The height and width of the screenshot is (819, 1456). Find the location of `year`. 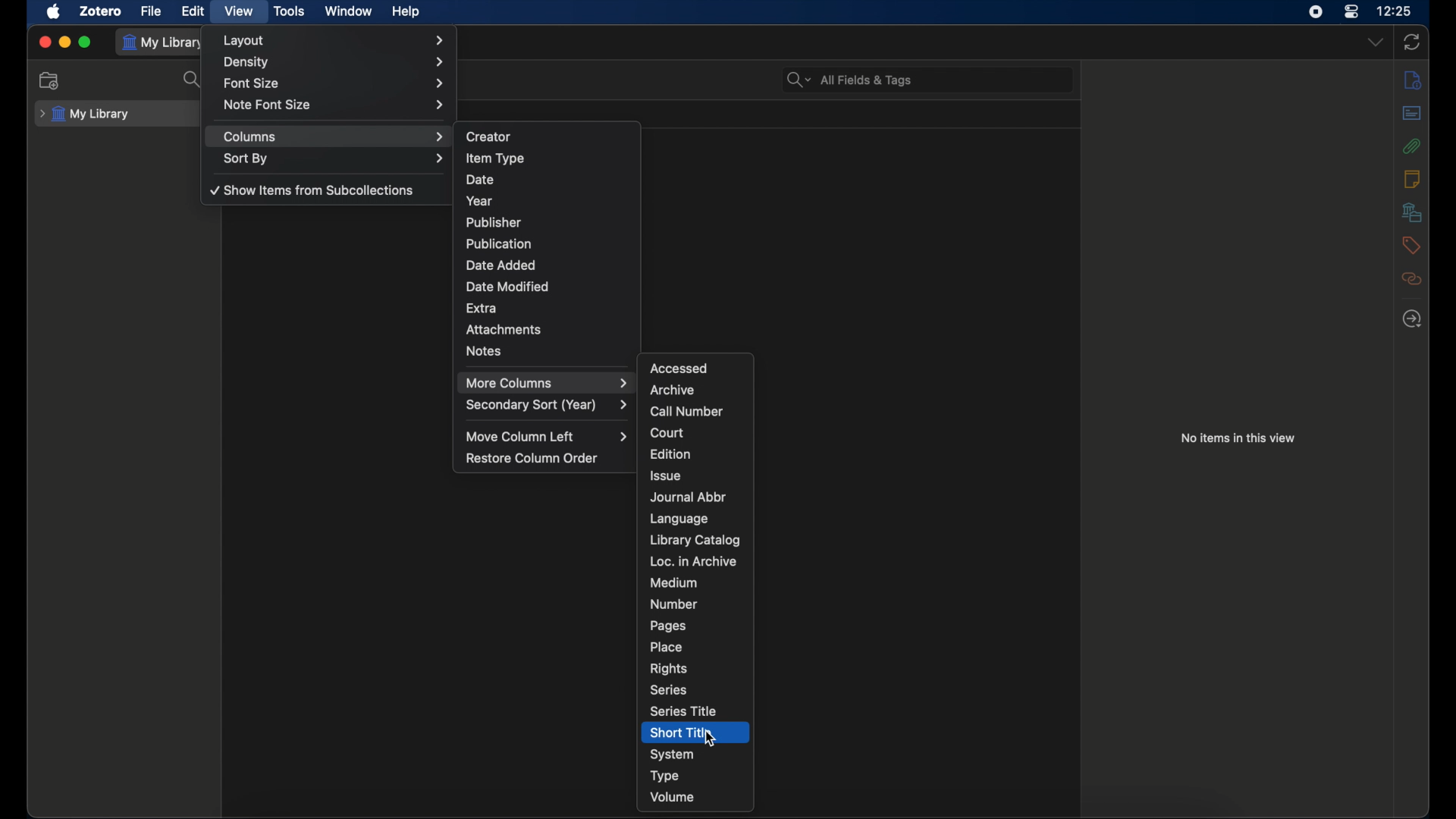

year is located at coordinates (481, 201).